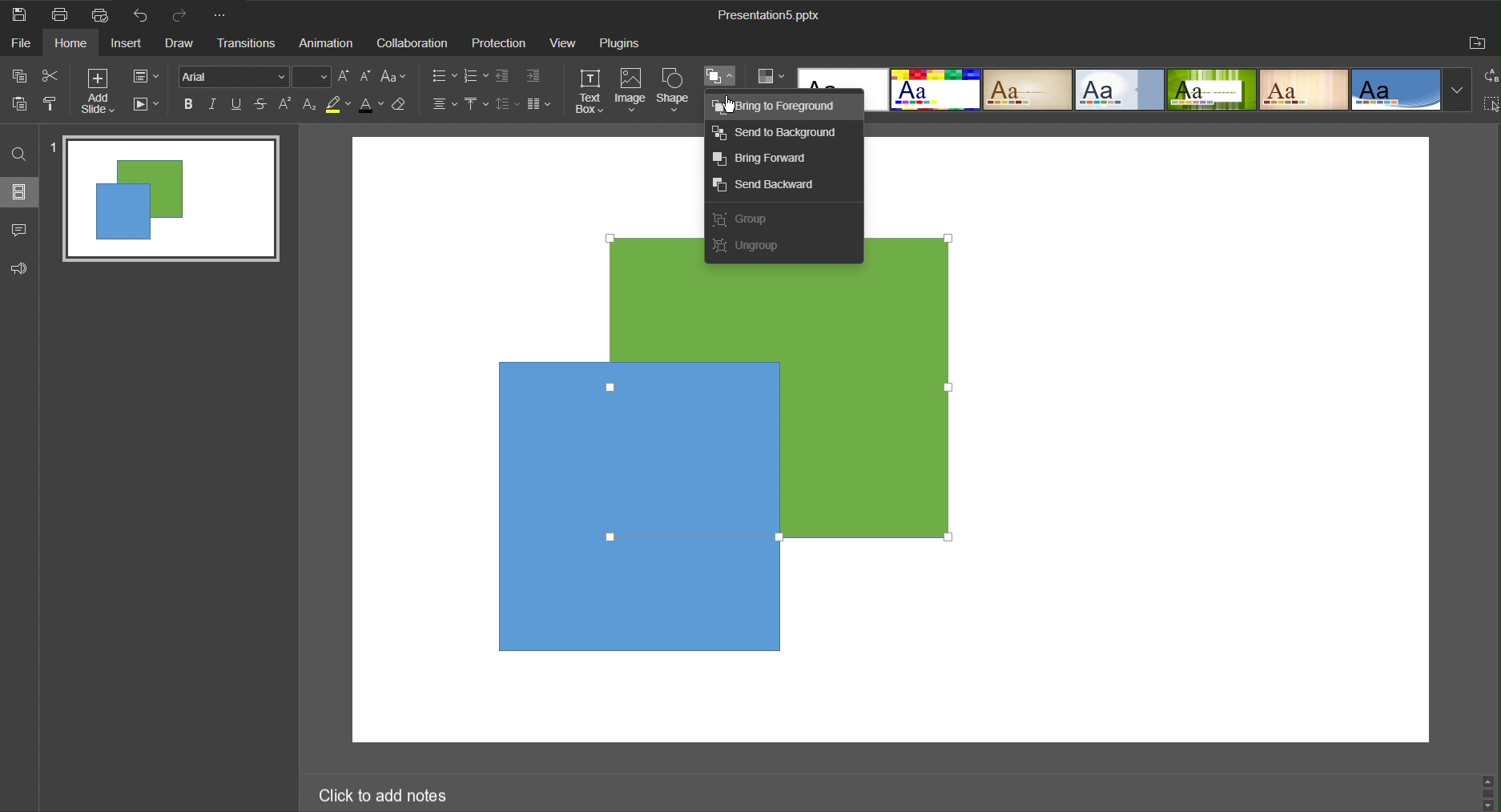 This screenshot has width=1501, height=812. What do you see at coordinates (188, 104) in the screenshot?
I see `bold` at bounding box center [188, 104].